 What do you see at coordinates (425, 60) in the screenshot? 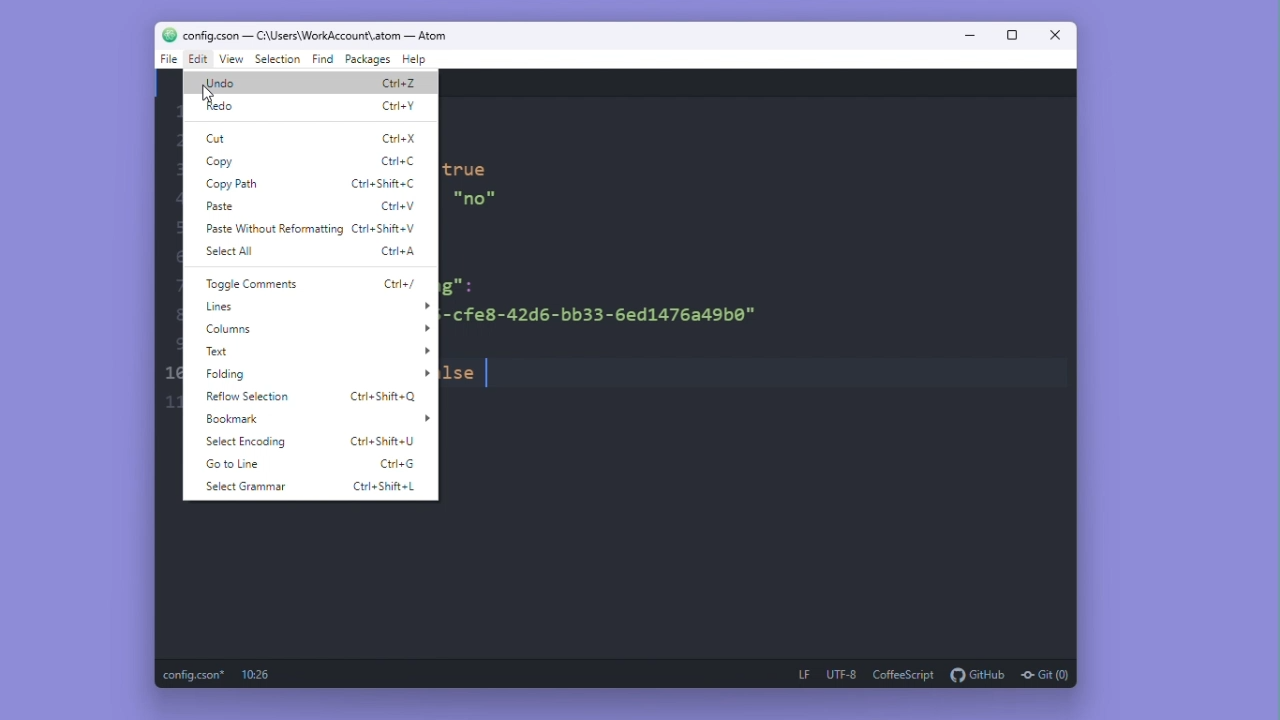
I see `Help ` at bounding box center [425, 60].